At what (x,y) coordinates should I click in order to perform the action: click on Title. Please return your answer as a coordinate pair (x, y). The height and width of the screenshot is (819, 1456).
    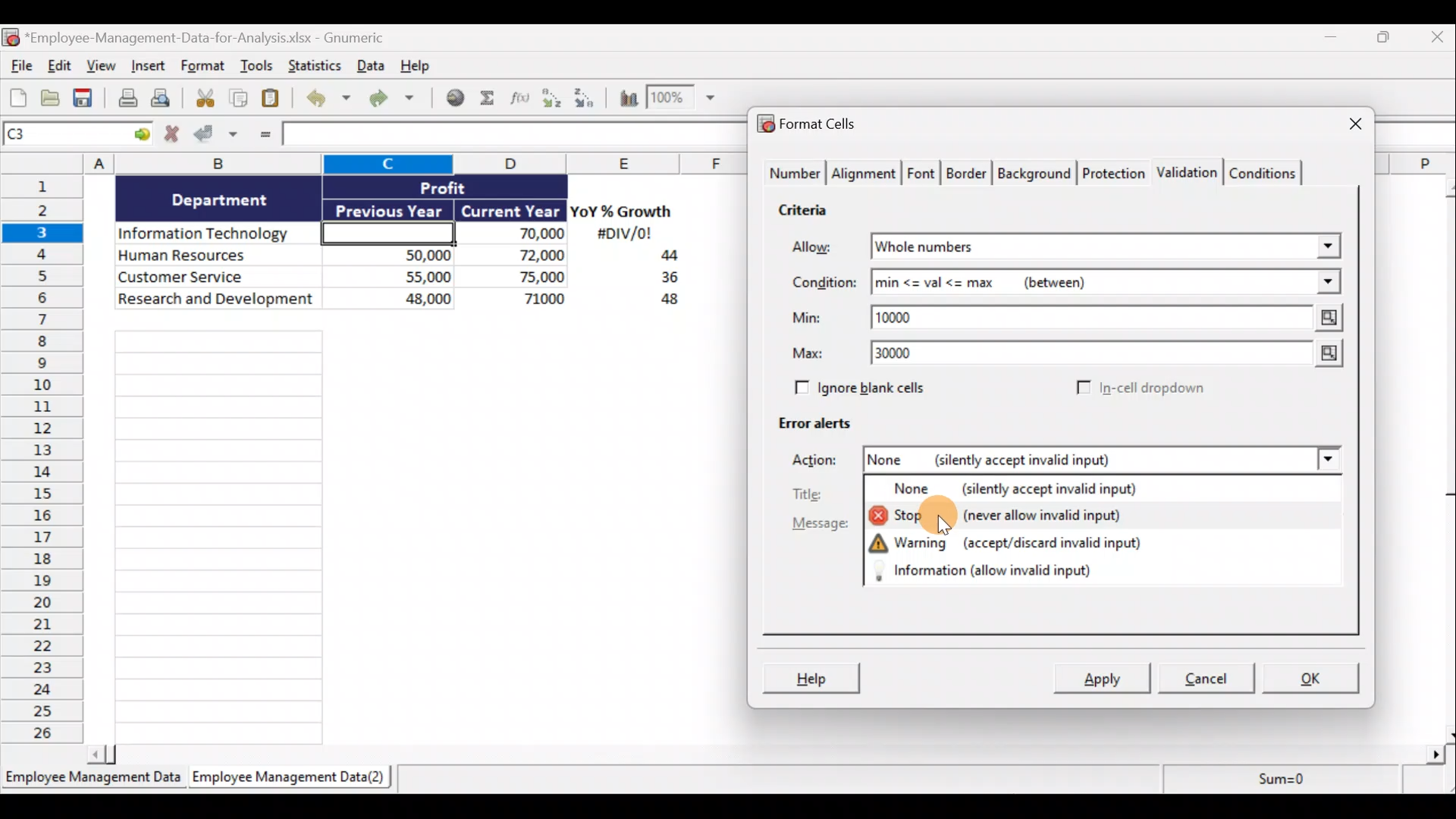
    Looking at the image, I should click on (817, 494).